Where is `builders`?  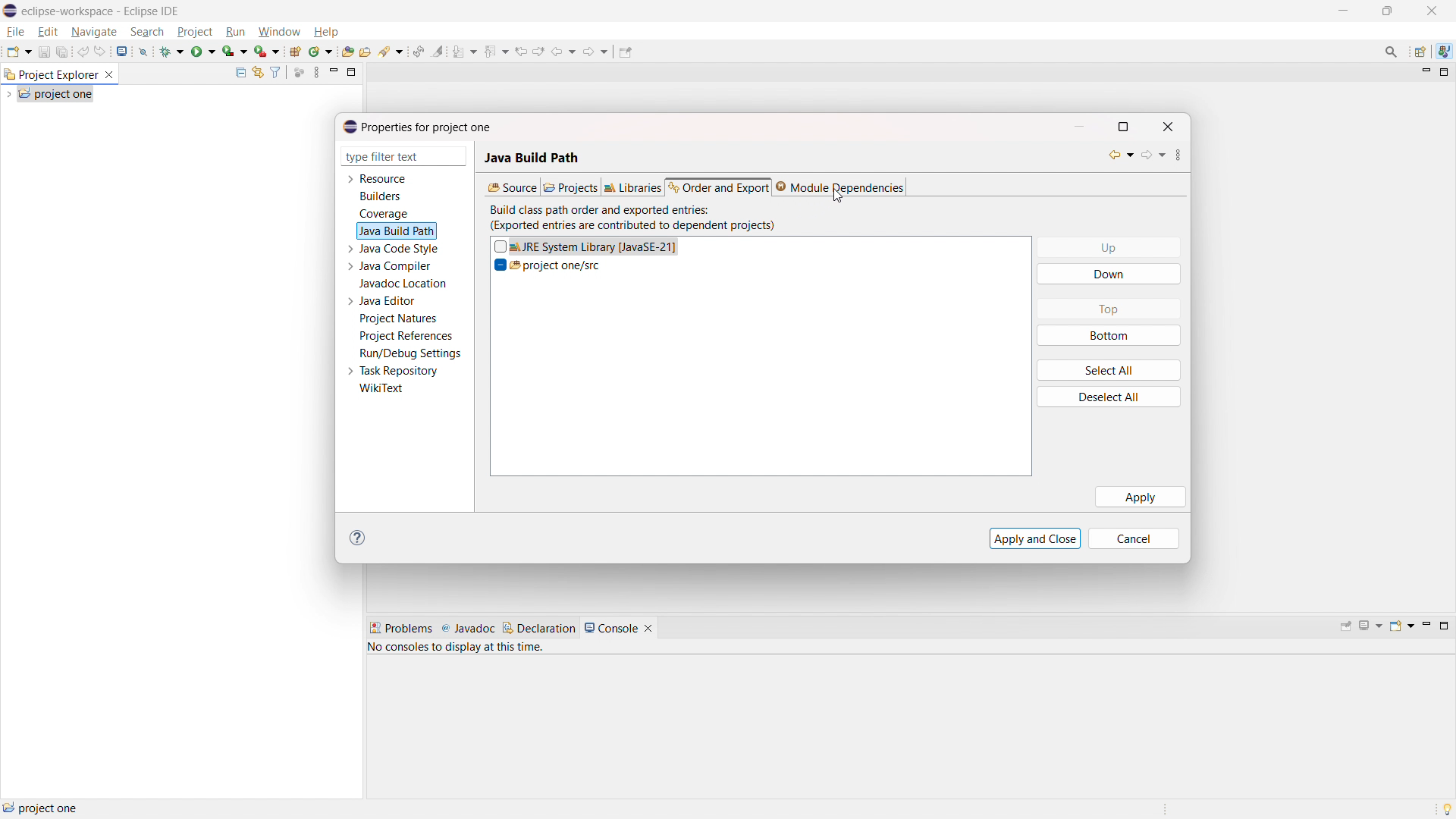 builders is located at coordinates (380, 196).